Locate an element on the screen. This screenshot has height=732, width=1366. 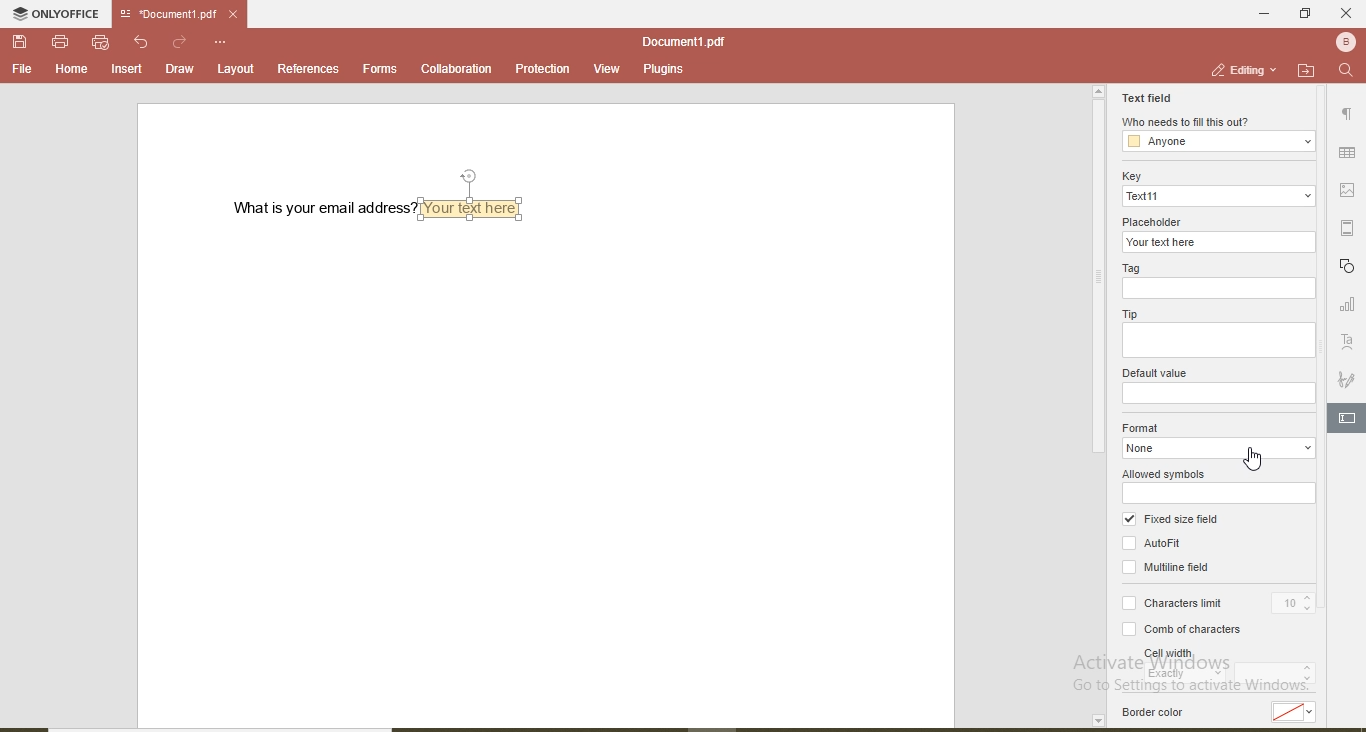
margin is located at coordinates (1351, 228).